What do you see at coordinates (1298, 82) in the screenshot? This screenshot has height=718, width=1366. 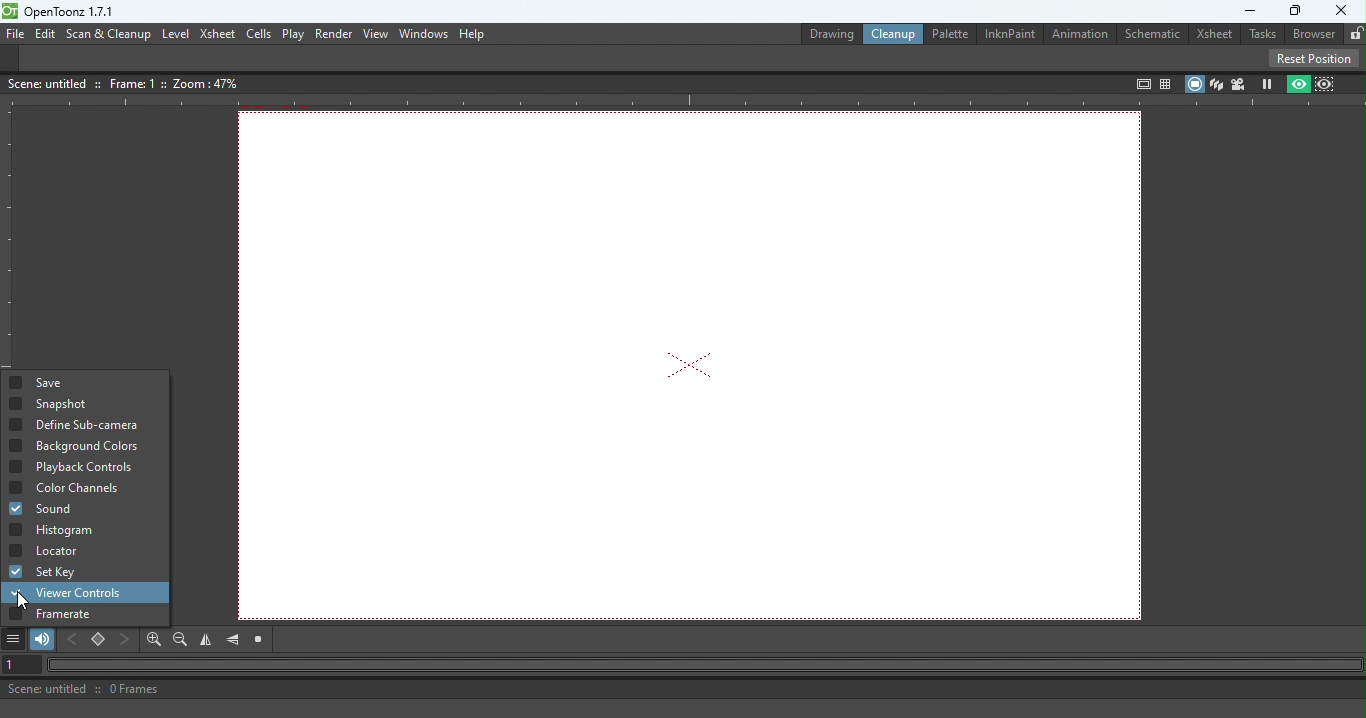 I see `preview` at bounding box center [1298, 82].